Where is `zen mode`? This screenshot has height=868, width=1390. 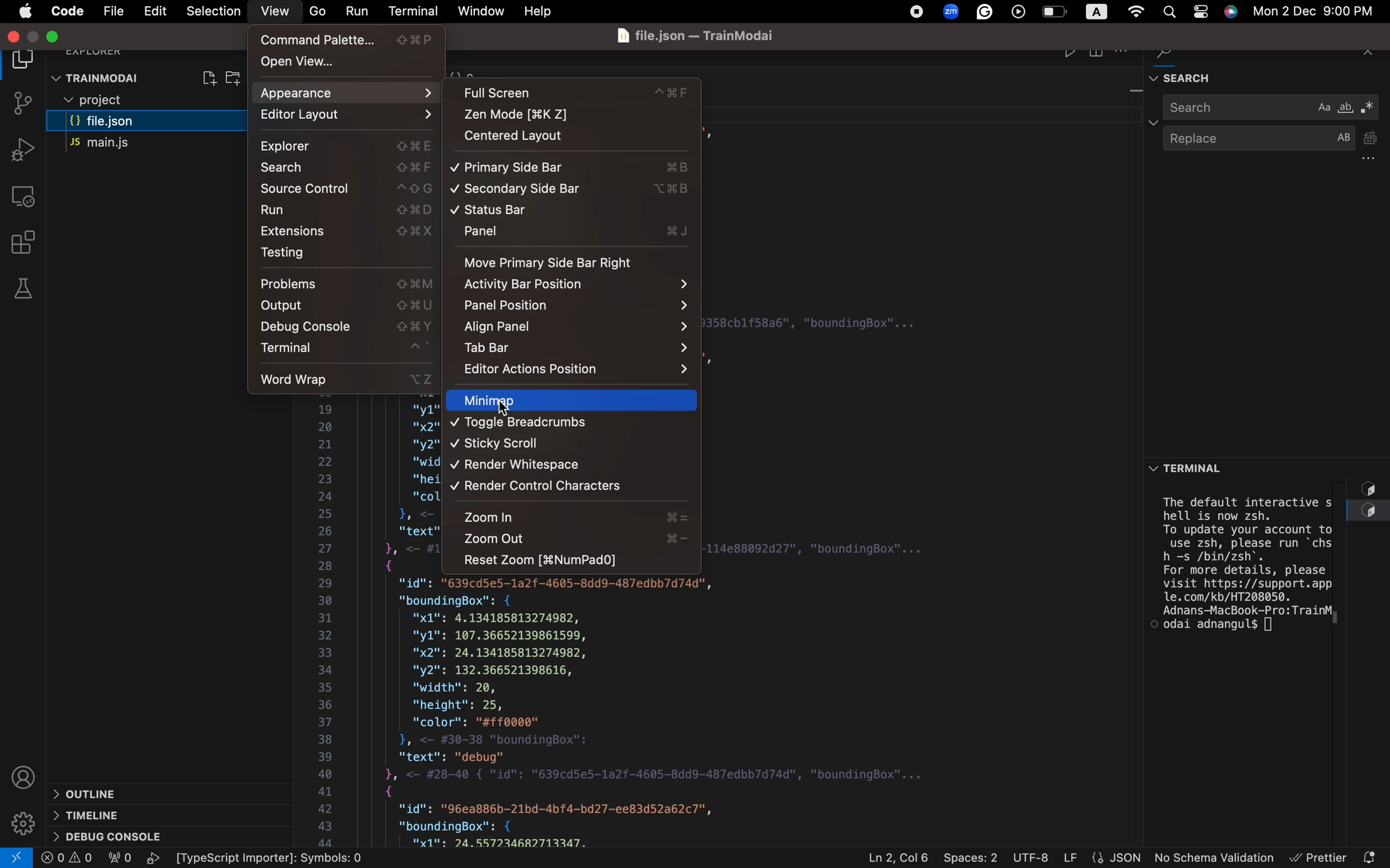 zen mode is located at coordinates (571, 113).